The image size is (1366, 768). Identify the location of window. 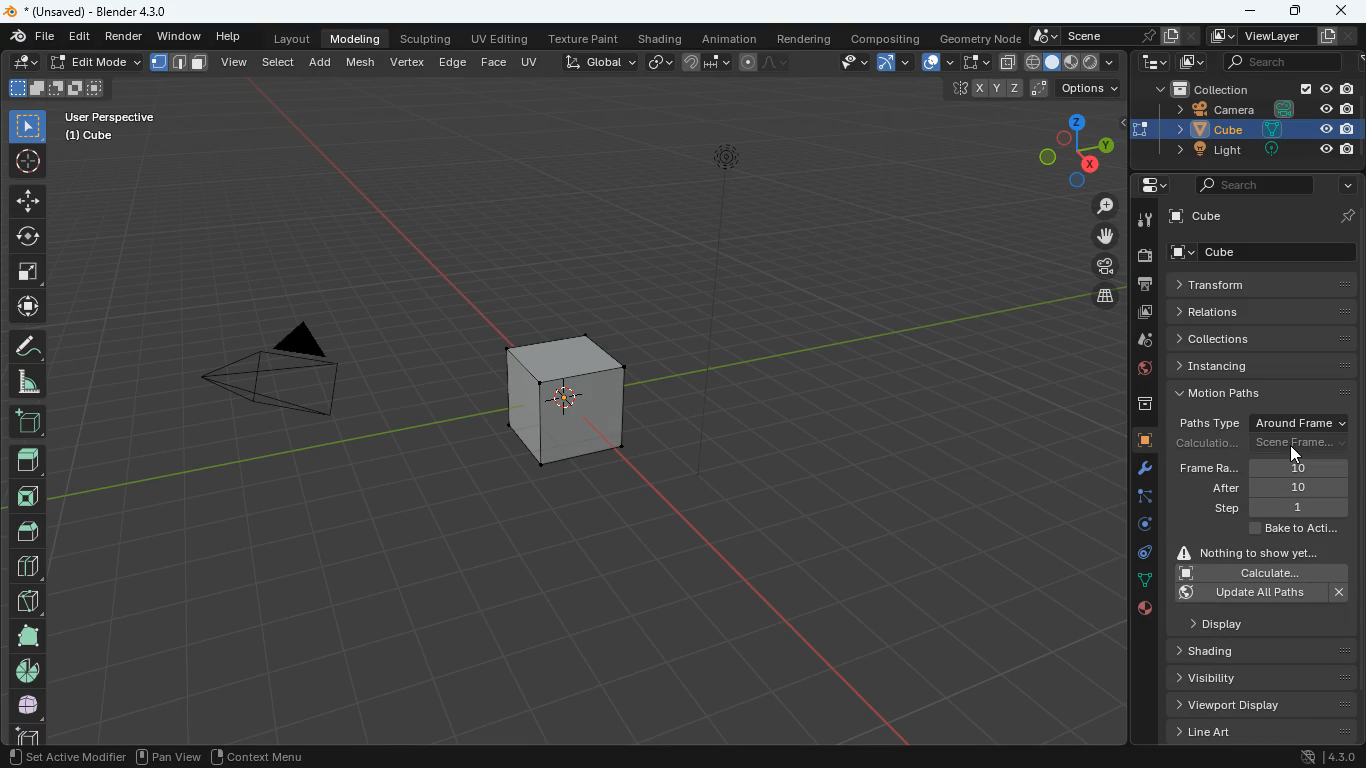
(181, 37).